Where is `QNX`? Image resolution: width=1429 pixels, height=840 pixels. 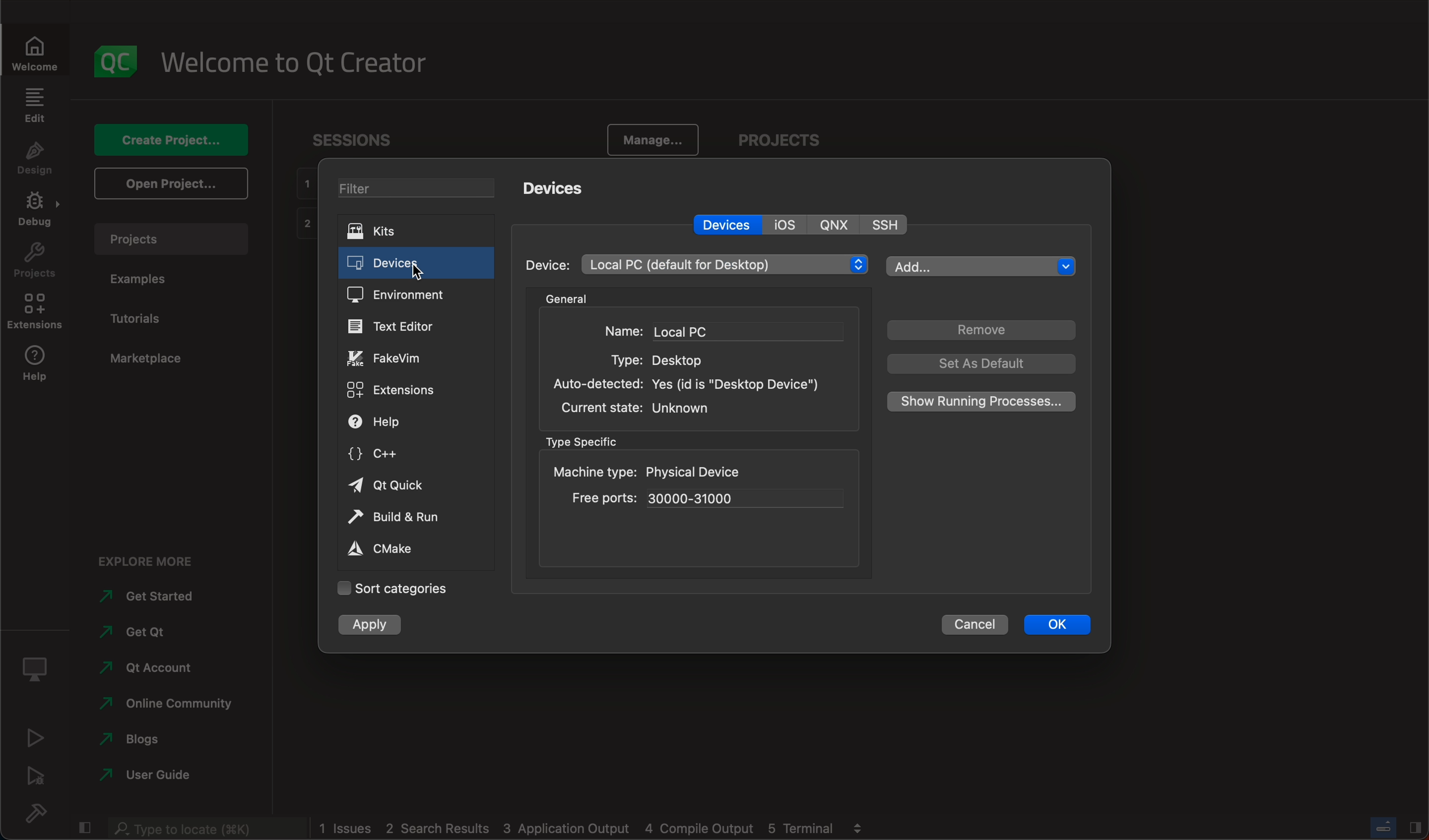 QNX is located at coordinates (837, 224).